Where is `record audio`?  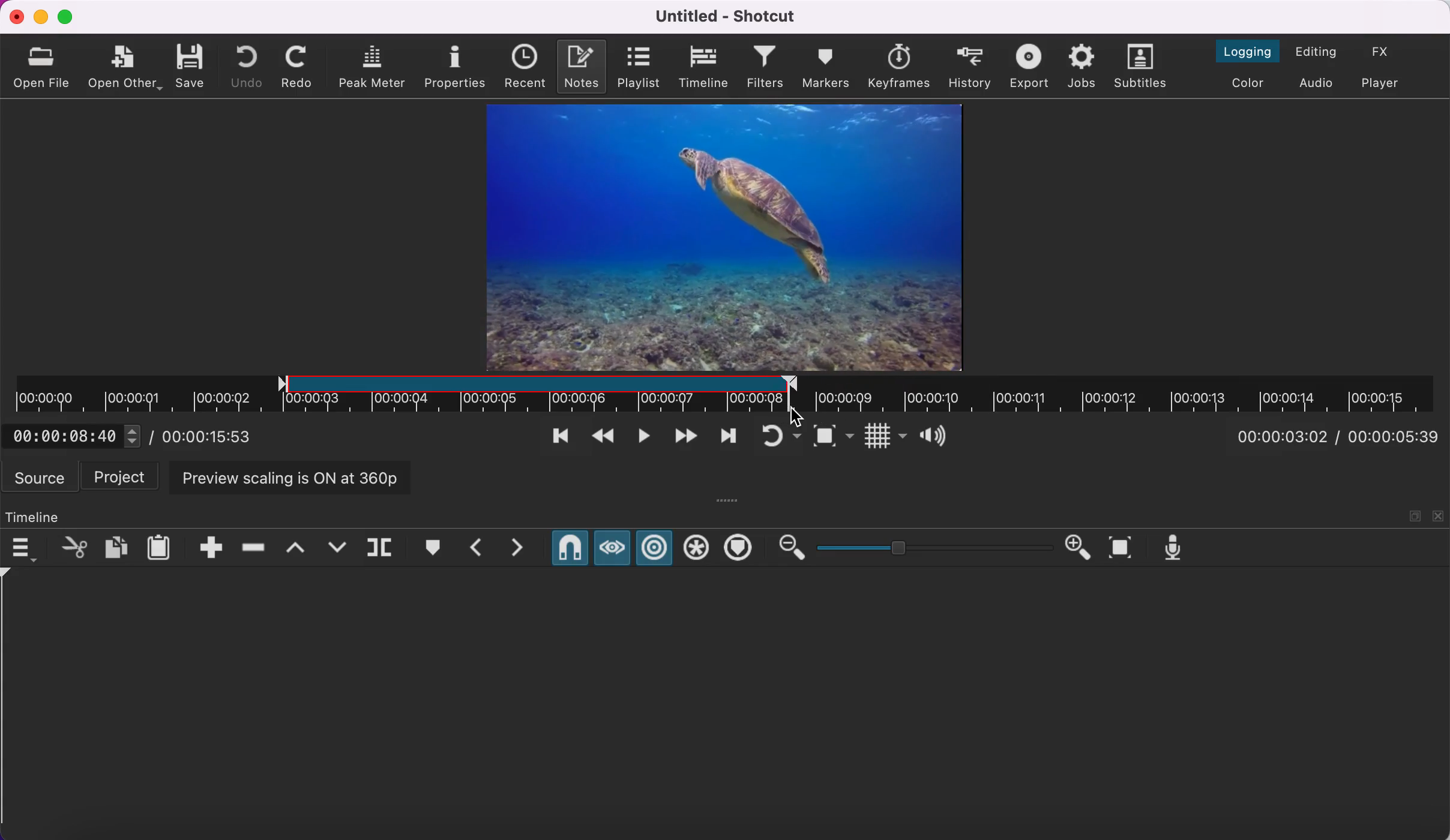 record audio is located at coordinates (1178, 549).